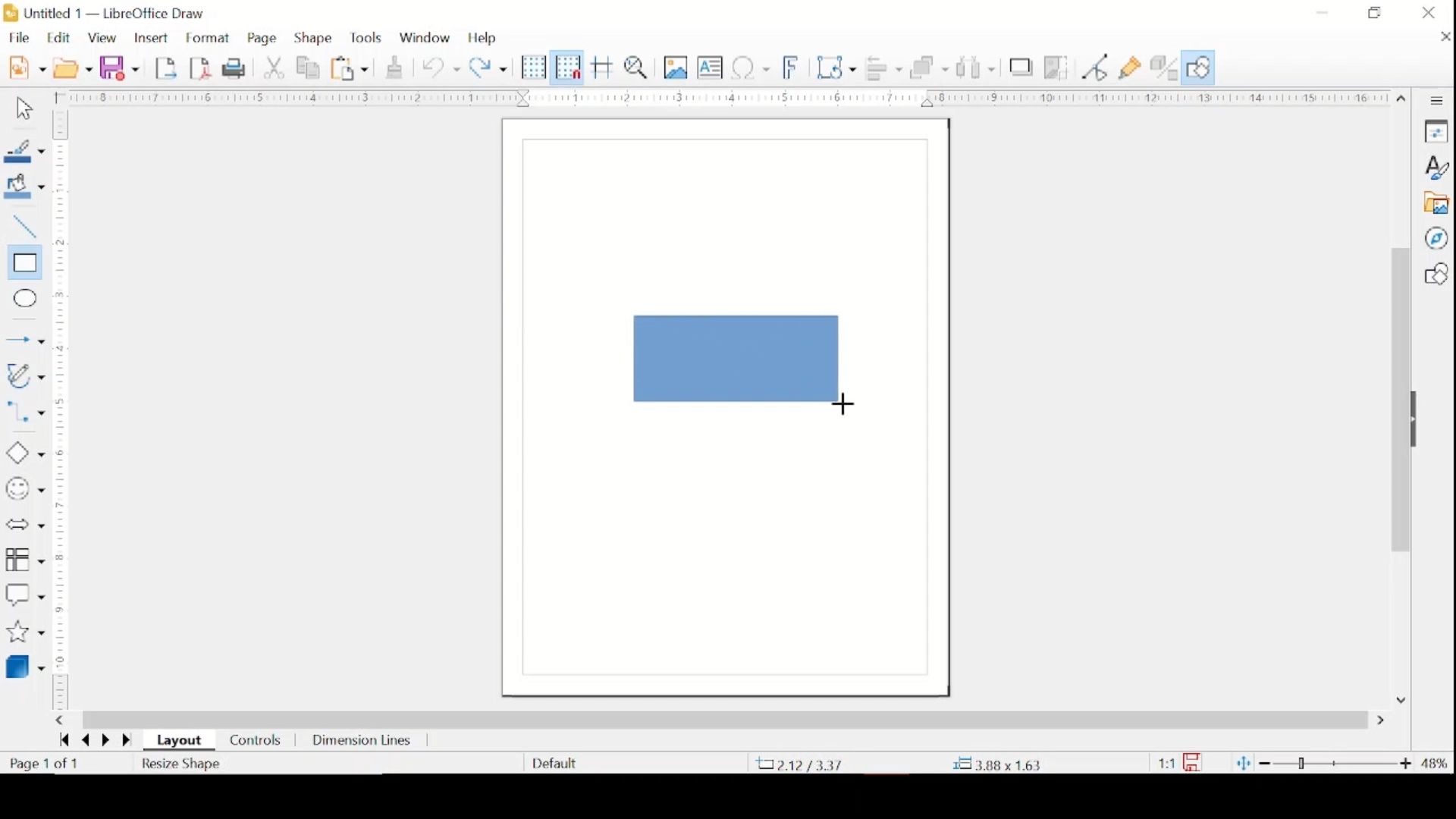 The image size is (1456, 819). What do you see at coordinates (129, 742) in the screenshot?
I see `forward` at bounding box center [129, 742].